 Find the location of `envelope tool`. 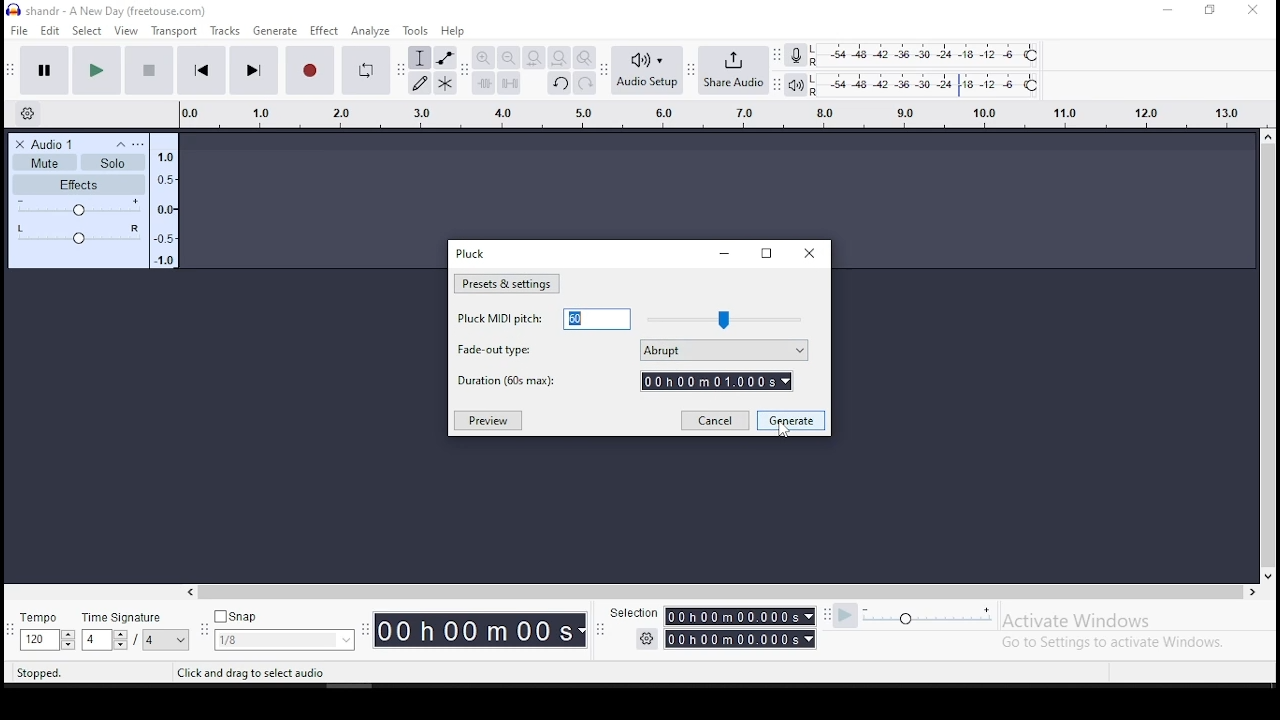

envelope tool is located at coordinates (445, 57).